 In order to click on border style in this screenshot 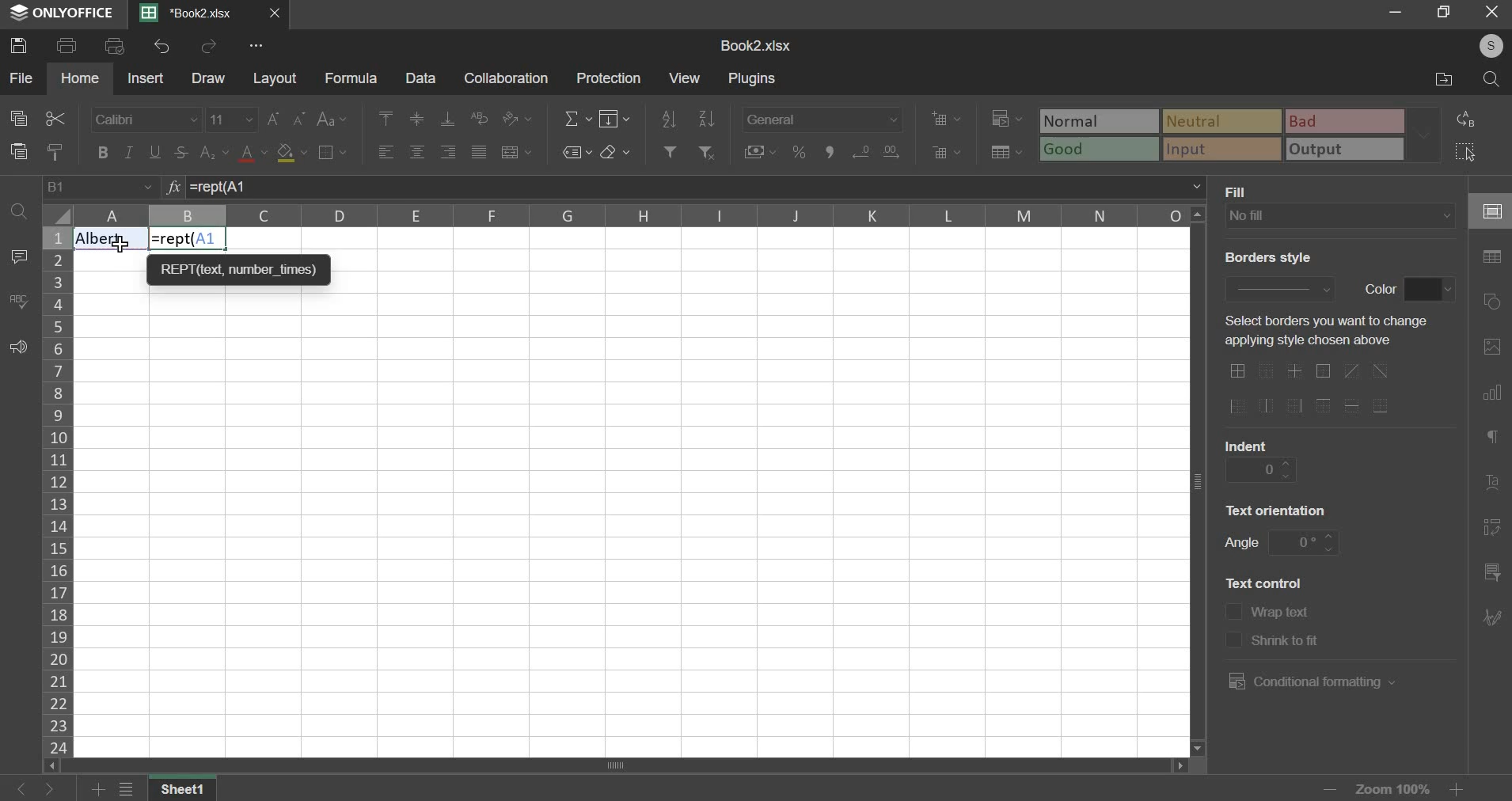, I will do `click(1286, 290)`.